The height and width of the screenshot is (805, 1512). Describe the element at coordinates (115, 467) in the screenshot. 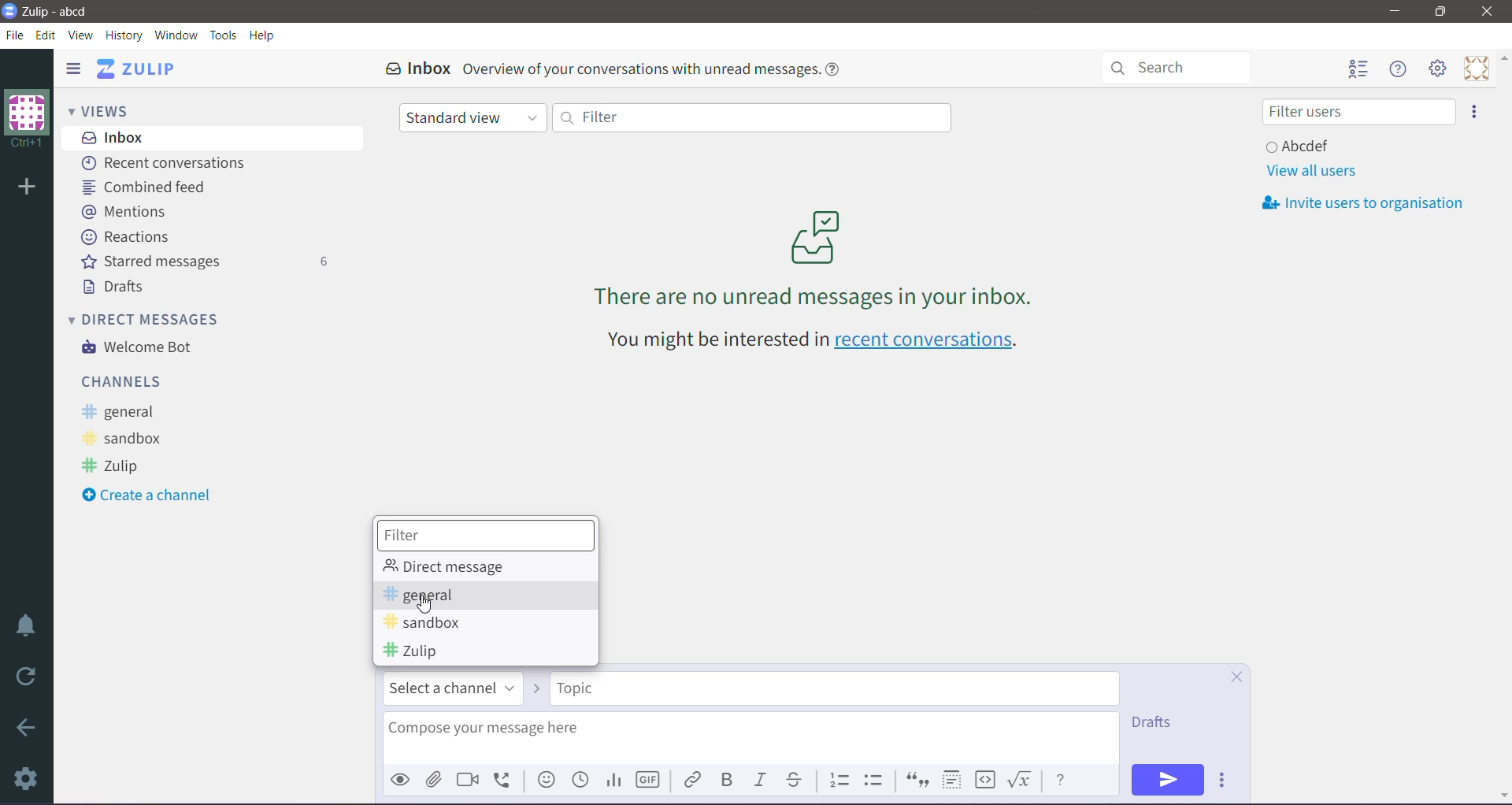

I see `Zulip` at that location.